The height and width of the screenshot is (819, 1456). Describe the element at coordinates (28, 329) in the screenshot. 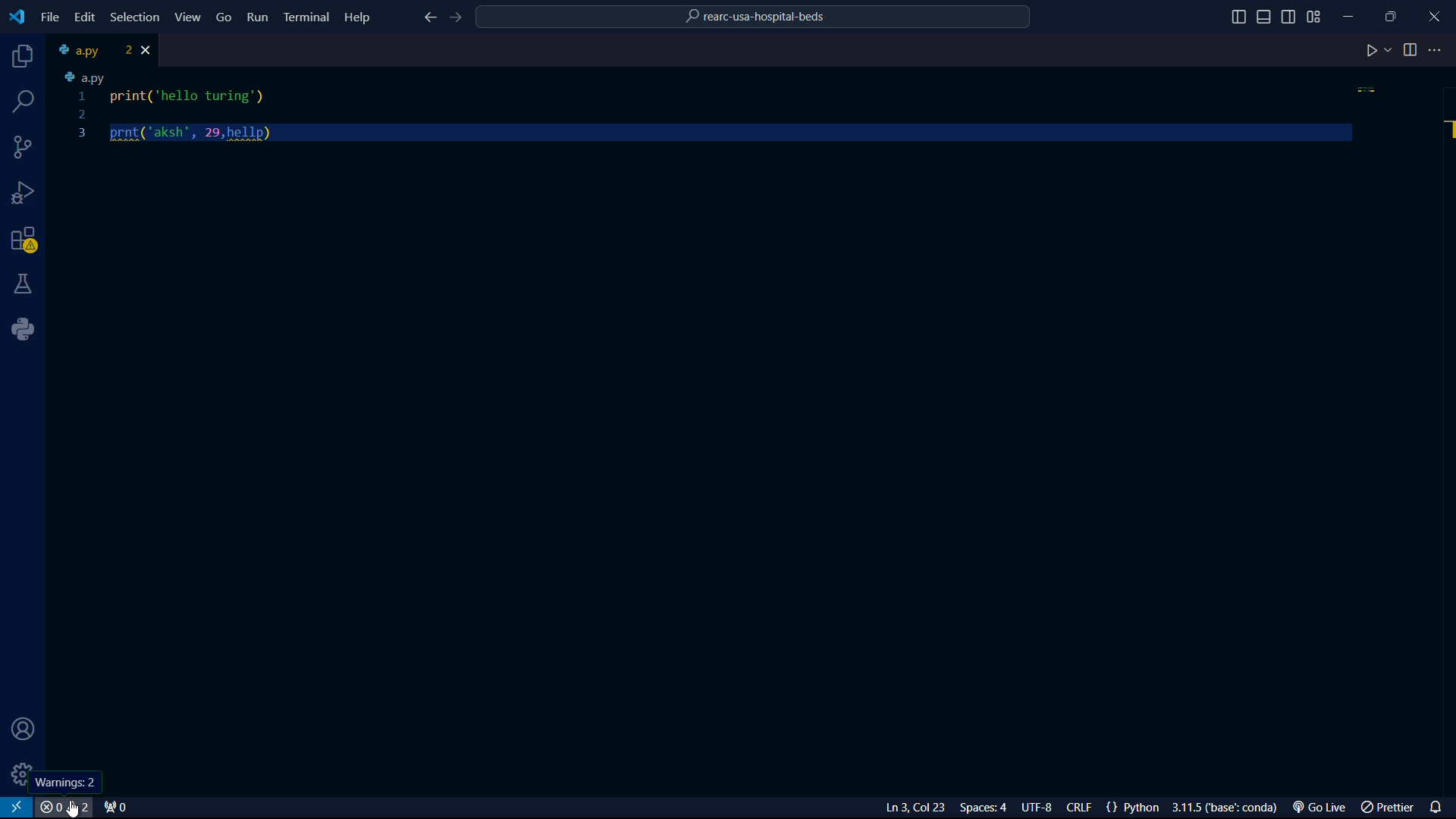

I see `python` at that location.